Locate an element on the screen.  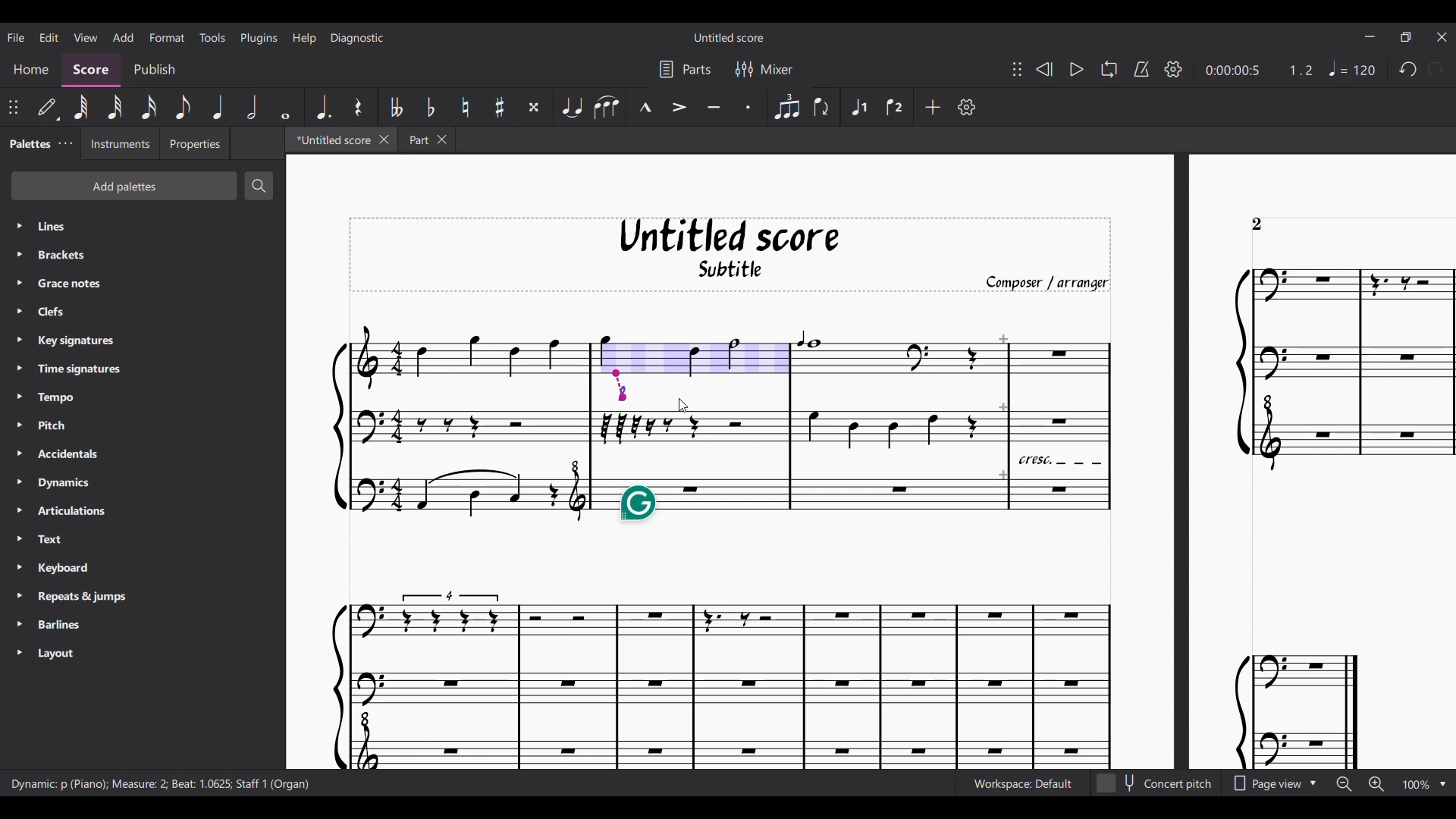
Toggle flat is located at coordinates (431, 106).